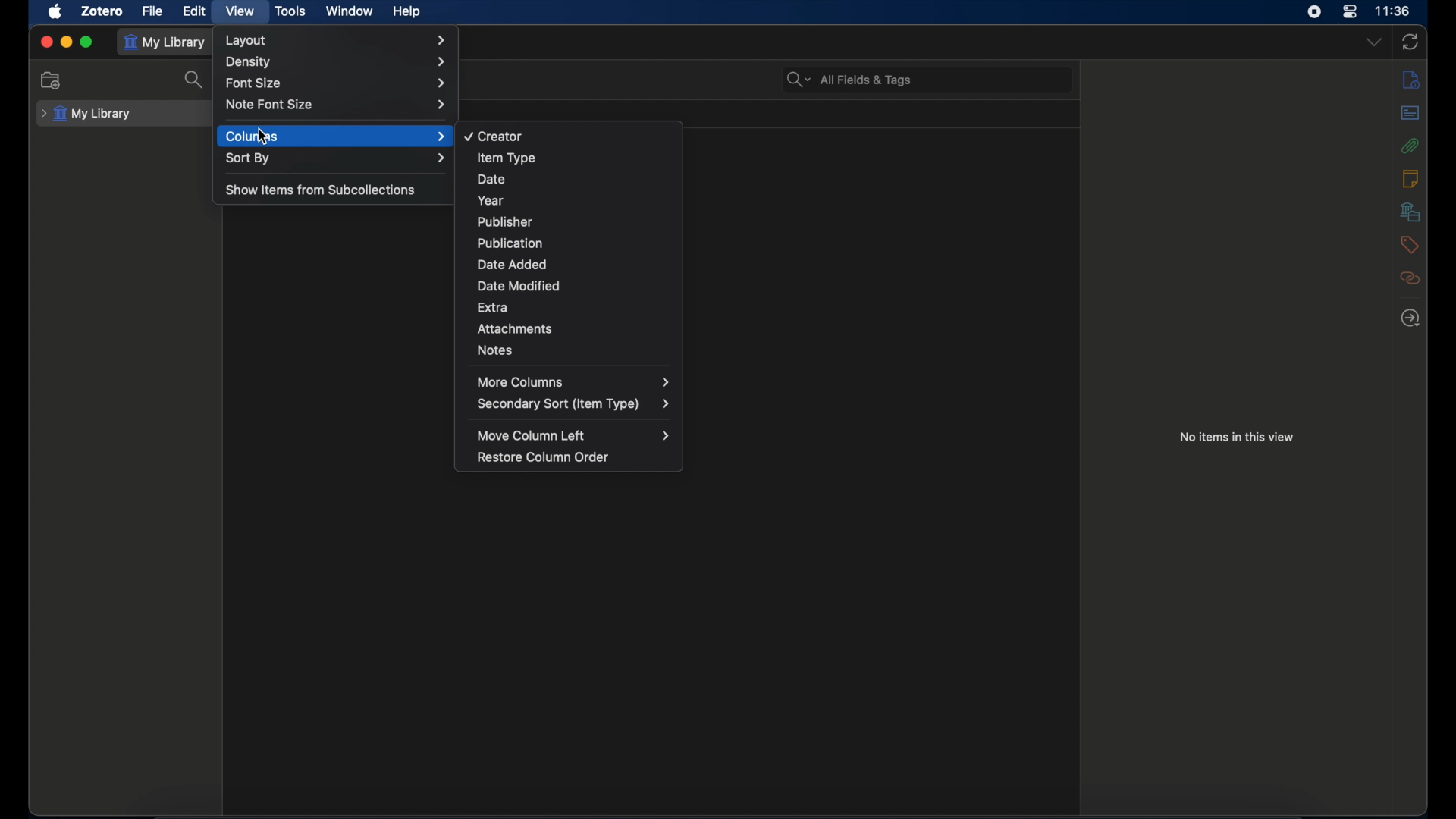 Image resolution: width=1456 pixels, height=819 pixels. What do you see at coordinates (510, 243) in the screenshot?
I see `publication` at bounding box center [510, 243].